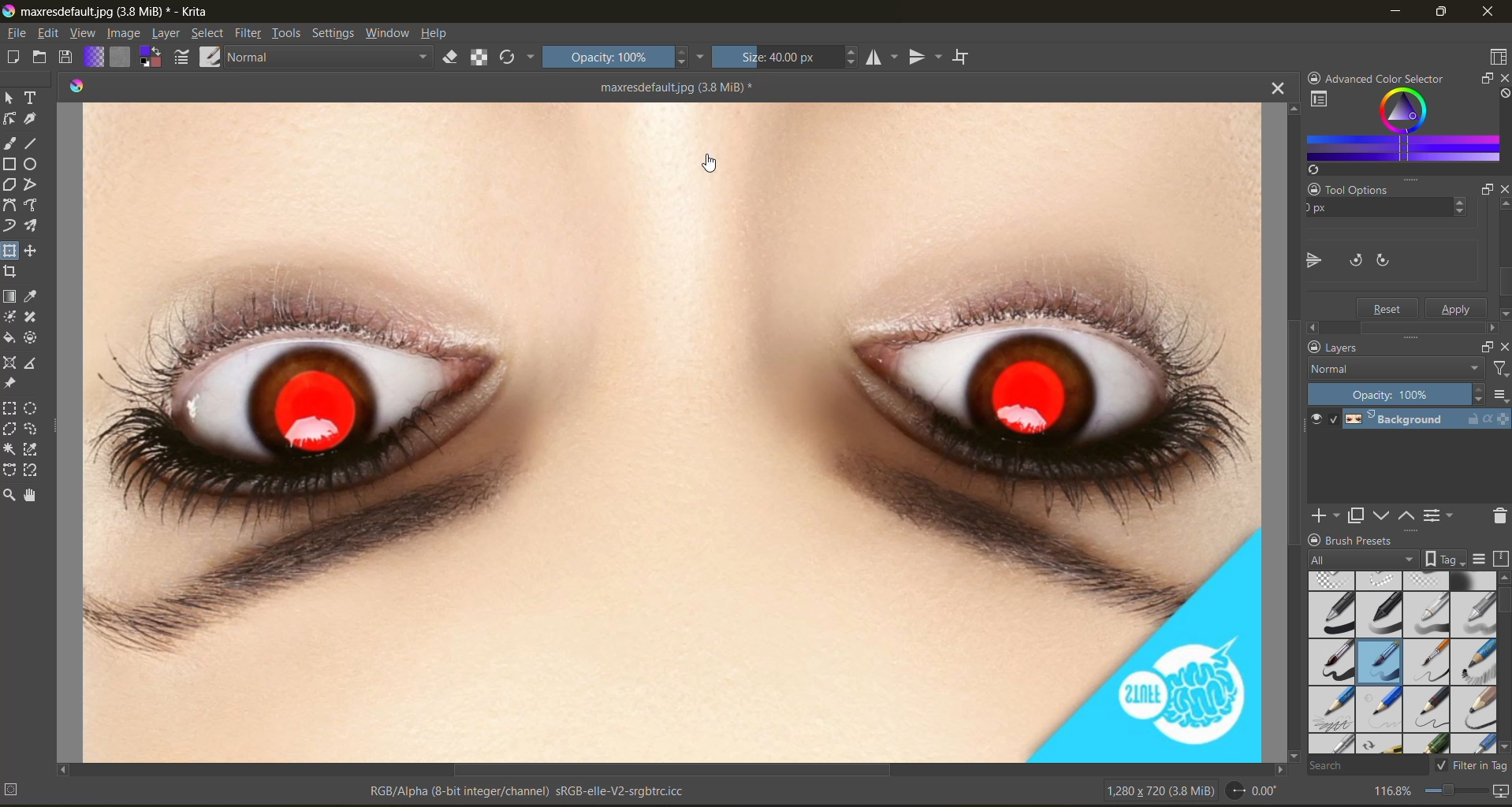 Image resolution: width=1512 pixels, height=807 pixels. Describe the element at coordinates (1391, 14) in the screenshot. I see `minimize` at that location.